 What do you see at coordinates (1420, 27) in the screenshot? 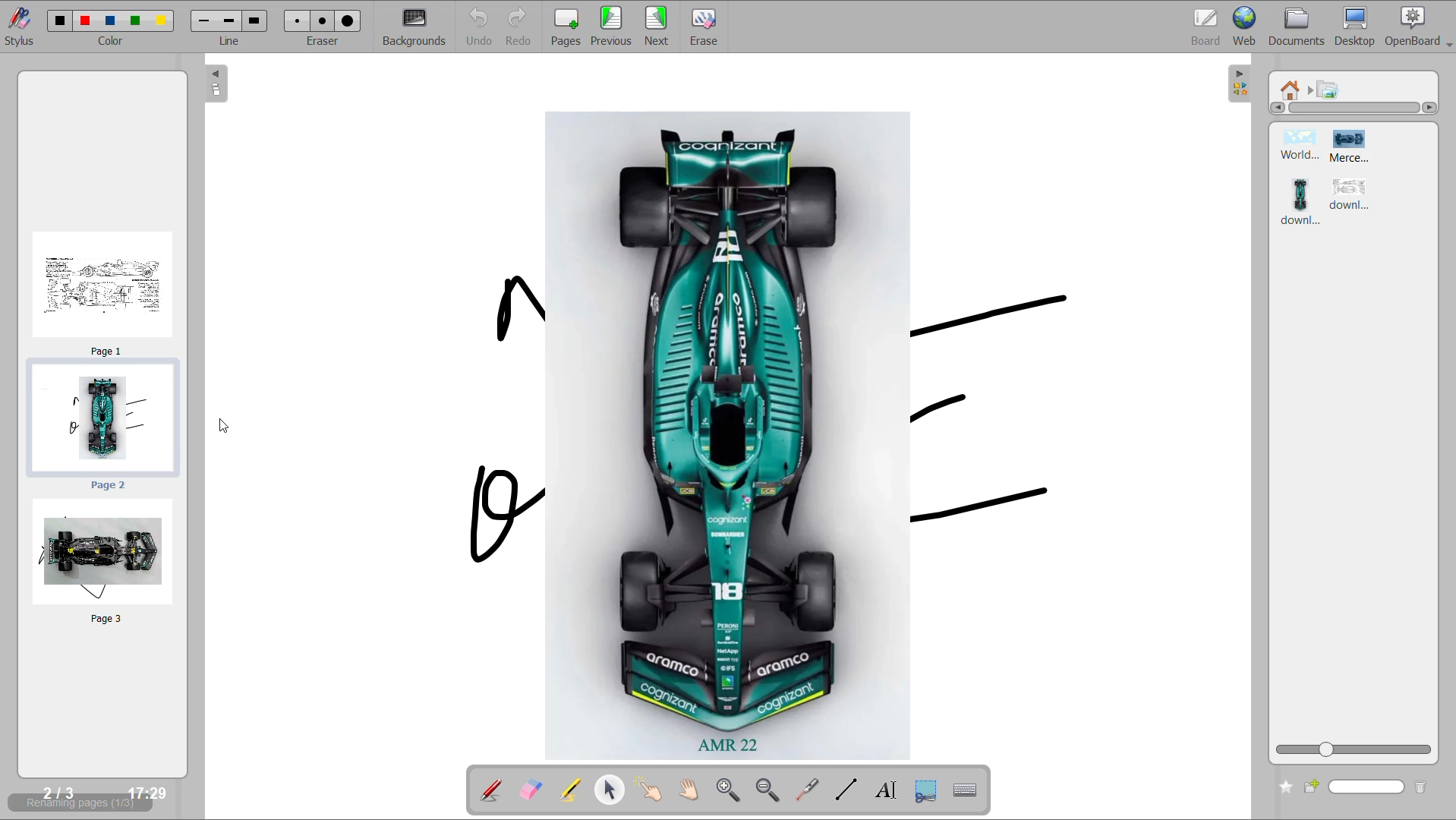
I see `openboard` at bounding box center [1420, 27].